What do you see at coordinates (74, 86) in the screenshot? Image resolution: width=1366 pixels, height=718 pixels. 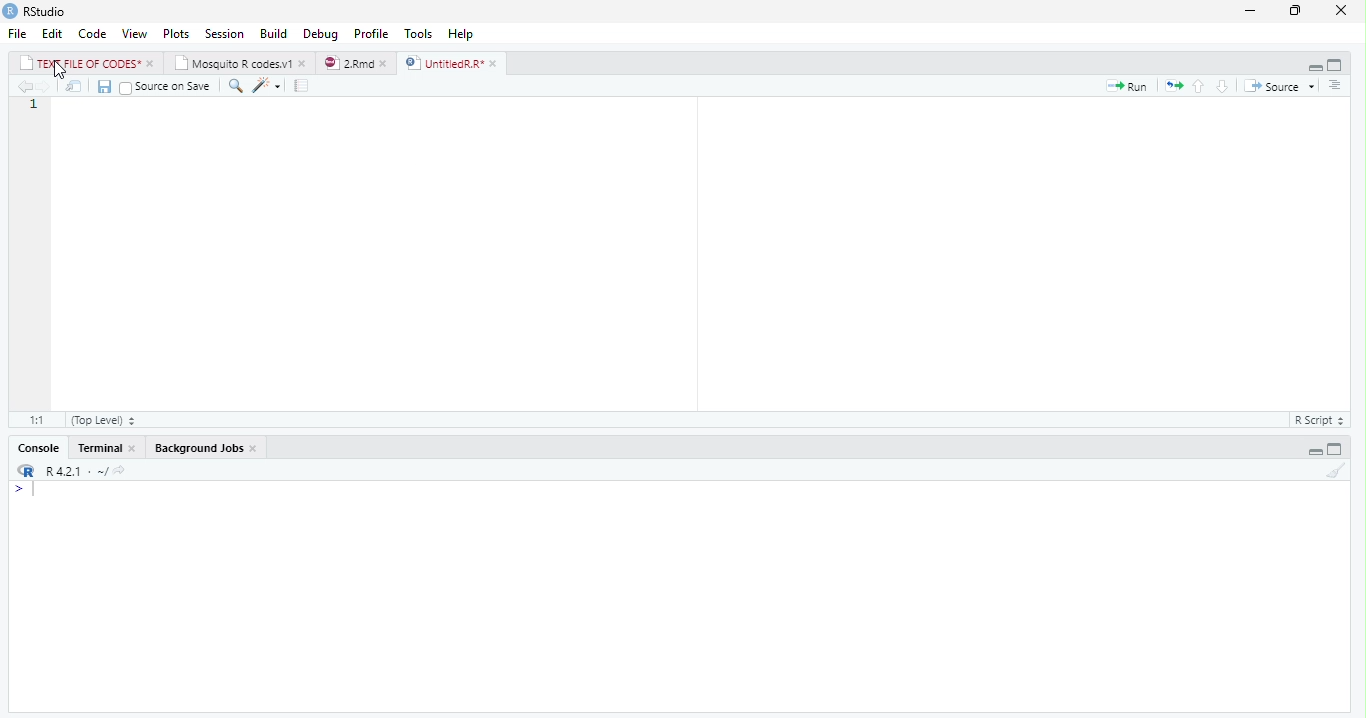 I see `Open in new window` at bounding box center [74, 86].